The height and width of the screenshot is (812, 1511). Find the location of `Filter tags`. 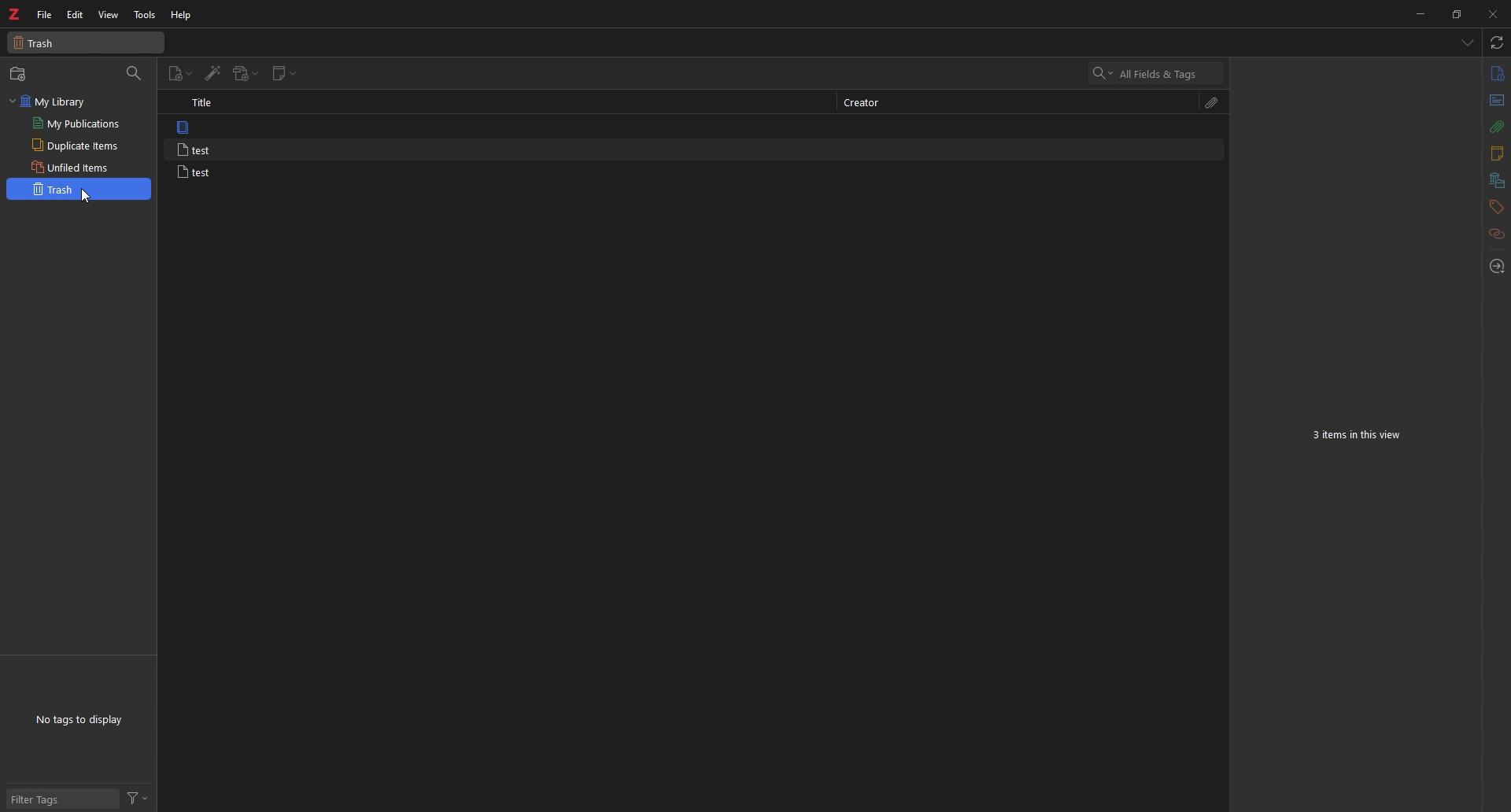

Filter tags is located at coordinates (61, 799).